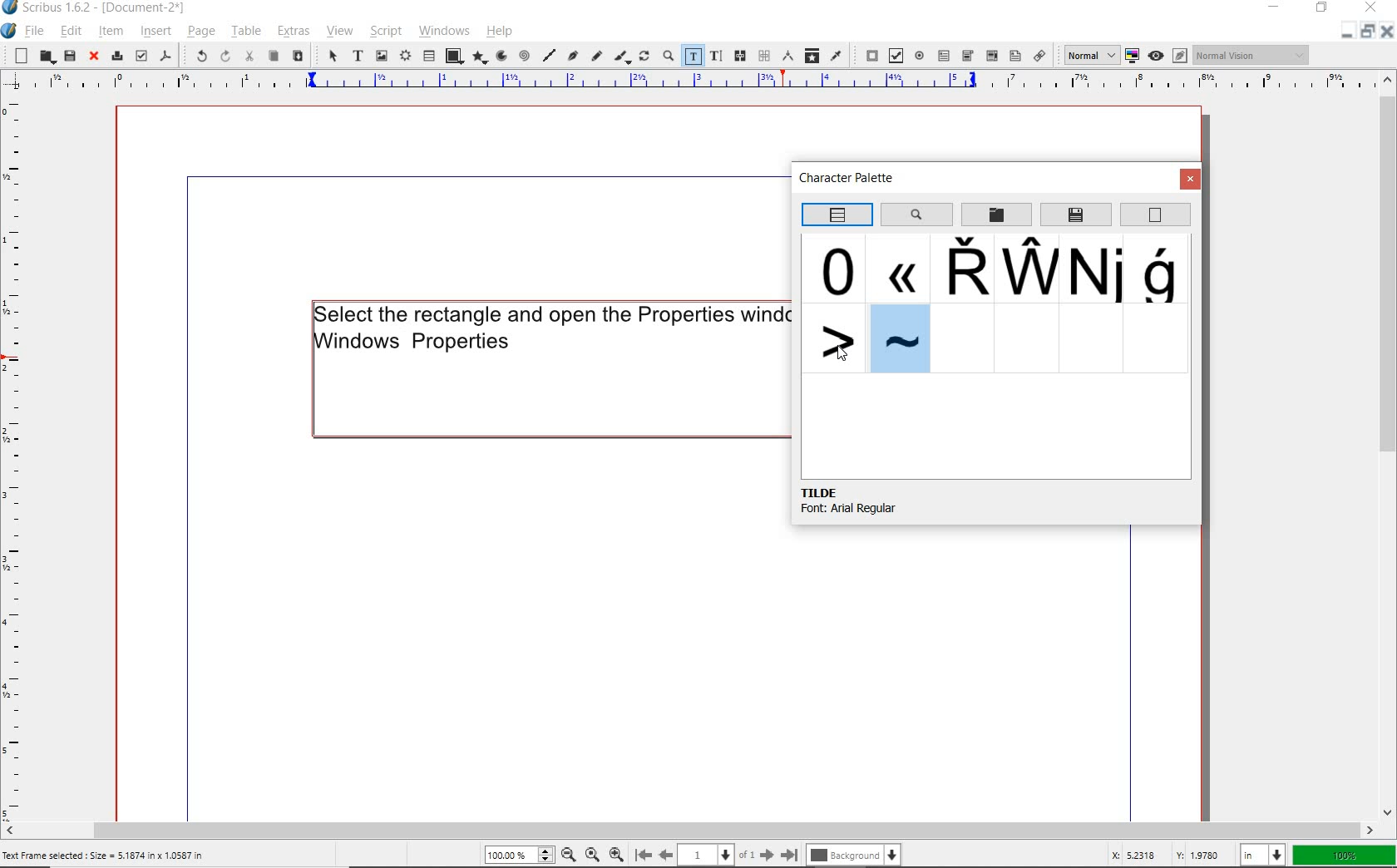 The width and height of the screenshot is (1397, 868). What do you see at coordinates (1252, 55) in the screenshot?
I see `Normal Vision` at bounding box center [1252, 55].